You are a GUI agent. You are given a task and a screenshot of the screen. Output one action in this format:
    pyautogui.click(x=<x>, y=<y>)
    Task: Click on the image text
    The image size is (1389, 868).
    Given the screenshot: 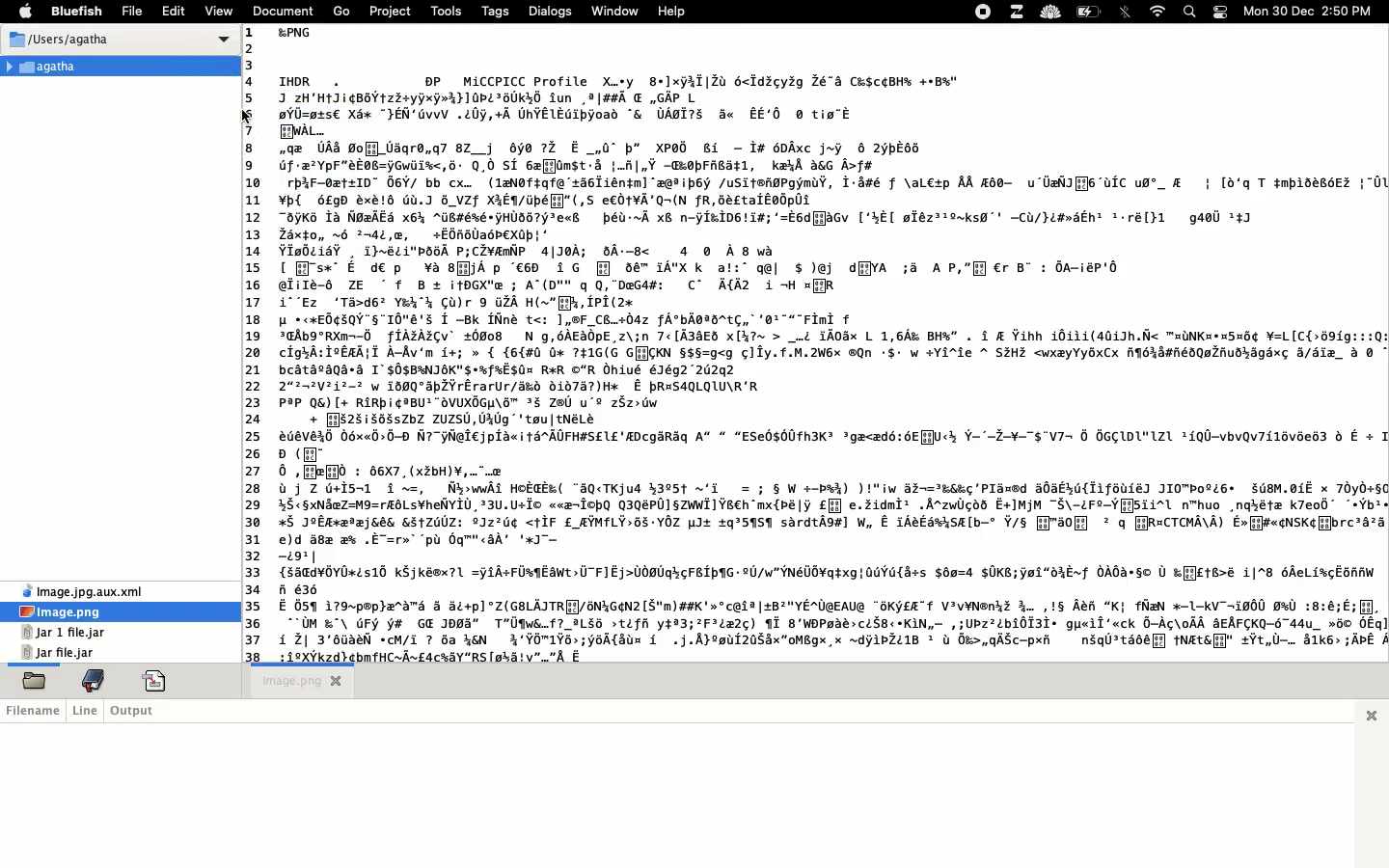 What is the action you would take?
    pyautogui.click(x=828, y=343)
    